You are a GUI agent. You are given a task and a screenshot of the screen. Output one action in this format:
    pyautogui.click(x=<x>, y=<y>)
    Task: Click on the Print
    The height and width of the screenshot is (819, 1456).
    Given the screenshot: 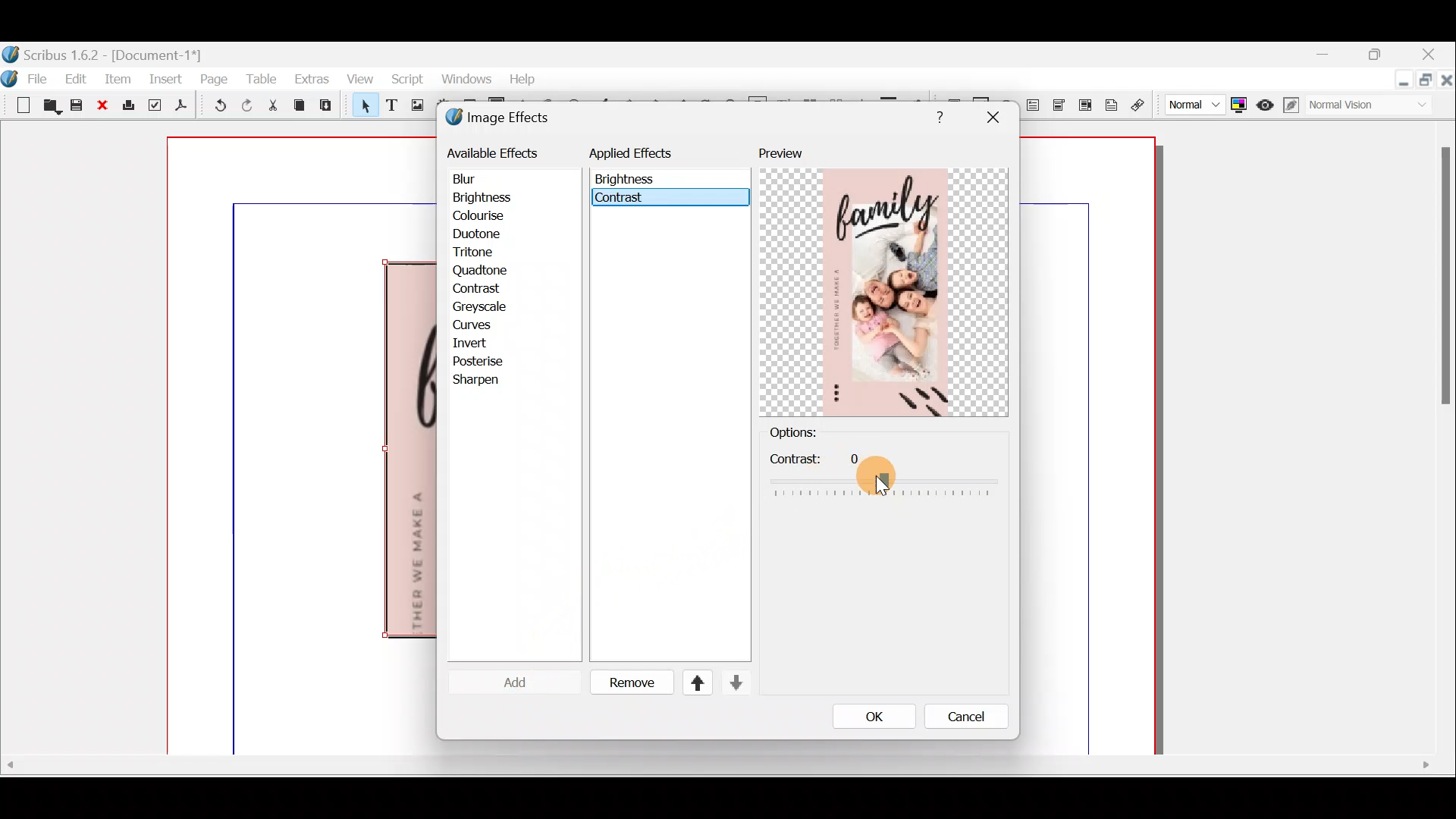 What is the action you would take?
    pyautogui.click(x=127, y=106)
    